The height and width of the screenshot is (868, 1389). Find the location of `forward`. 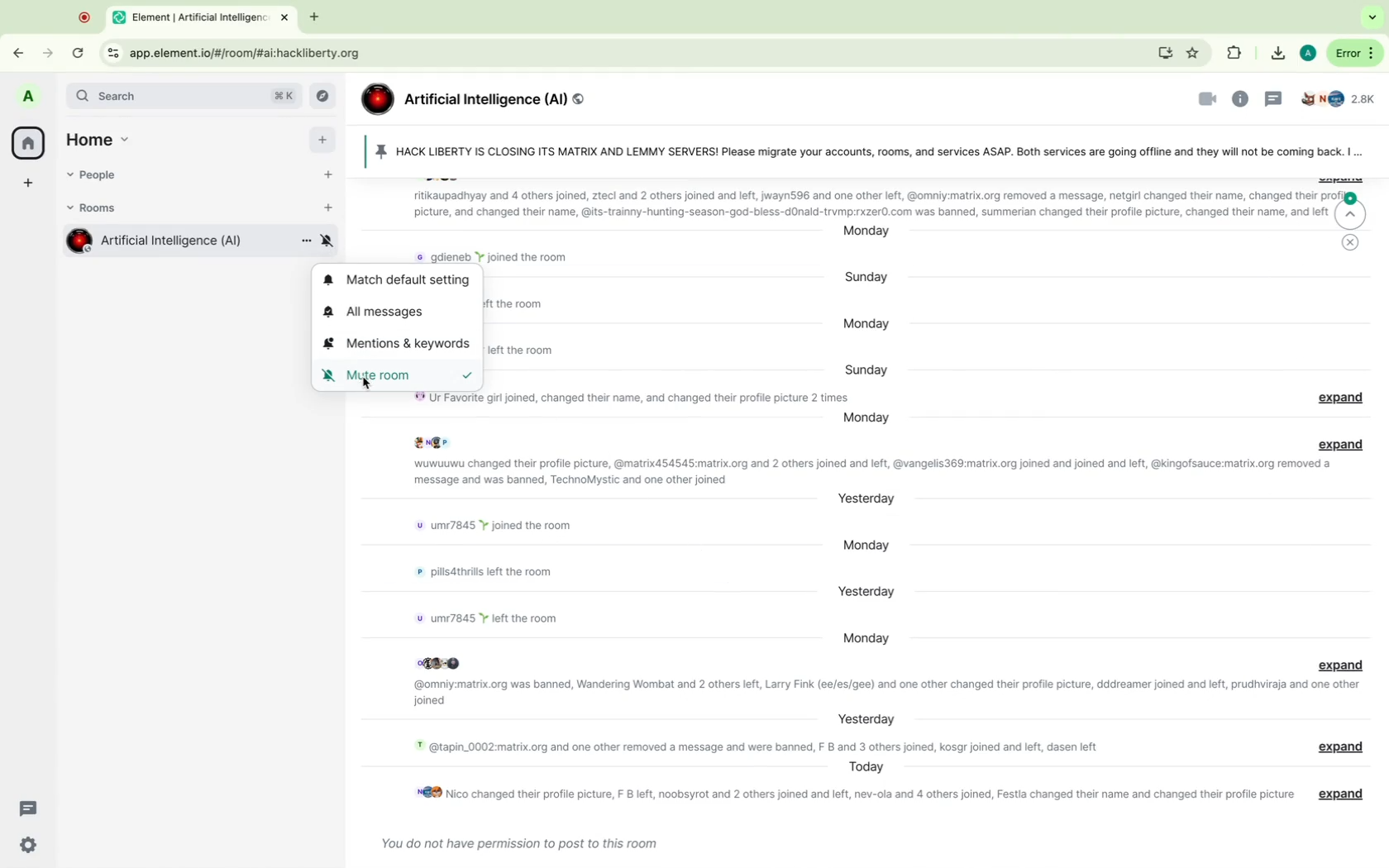

forward is located at coordinates (45, 52).